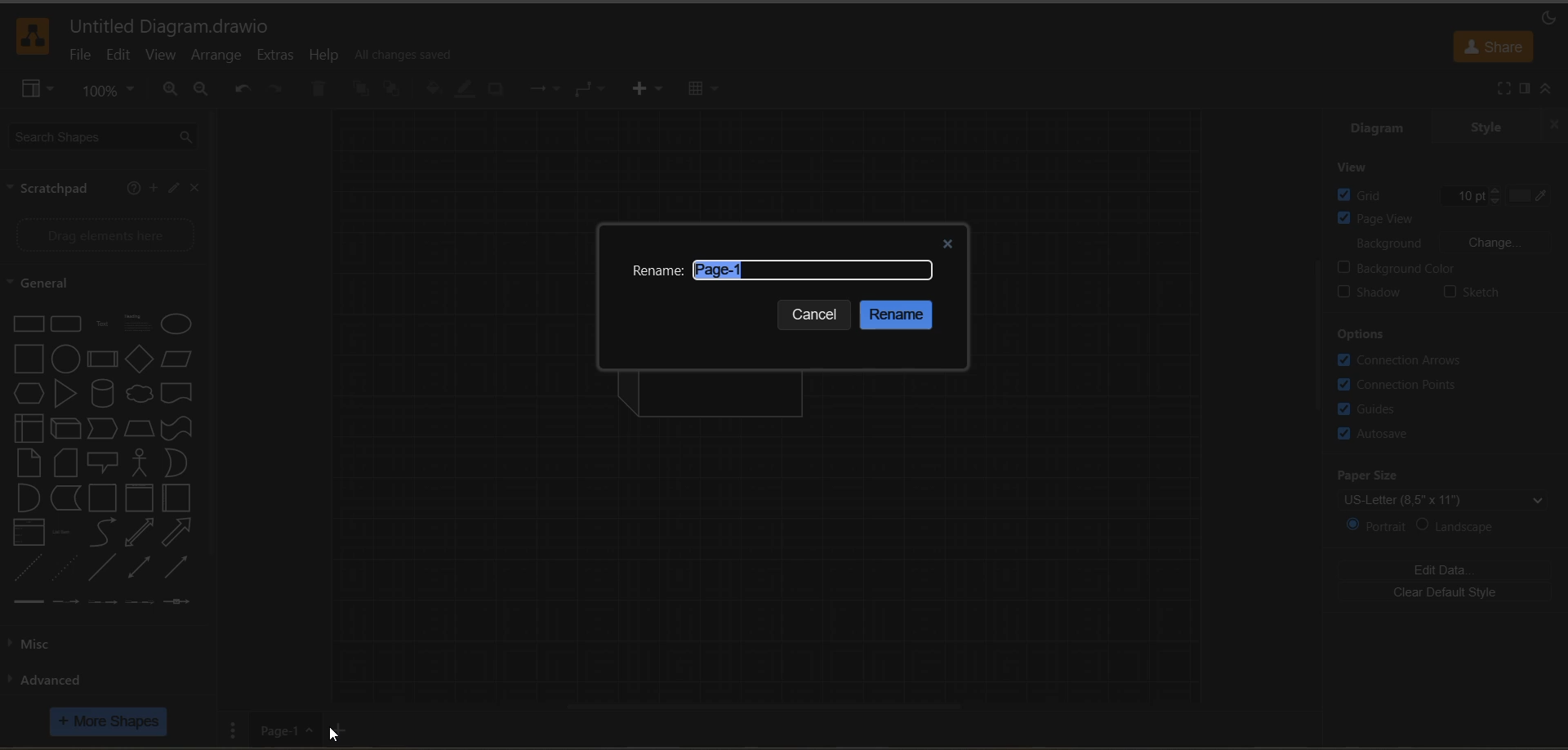 The image size is (1568, 750). What do you see at coordinates (1450, 194) in the screenshot?
I see `Grid size` at bounding box center [1450, 194].